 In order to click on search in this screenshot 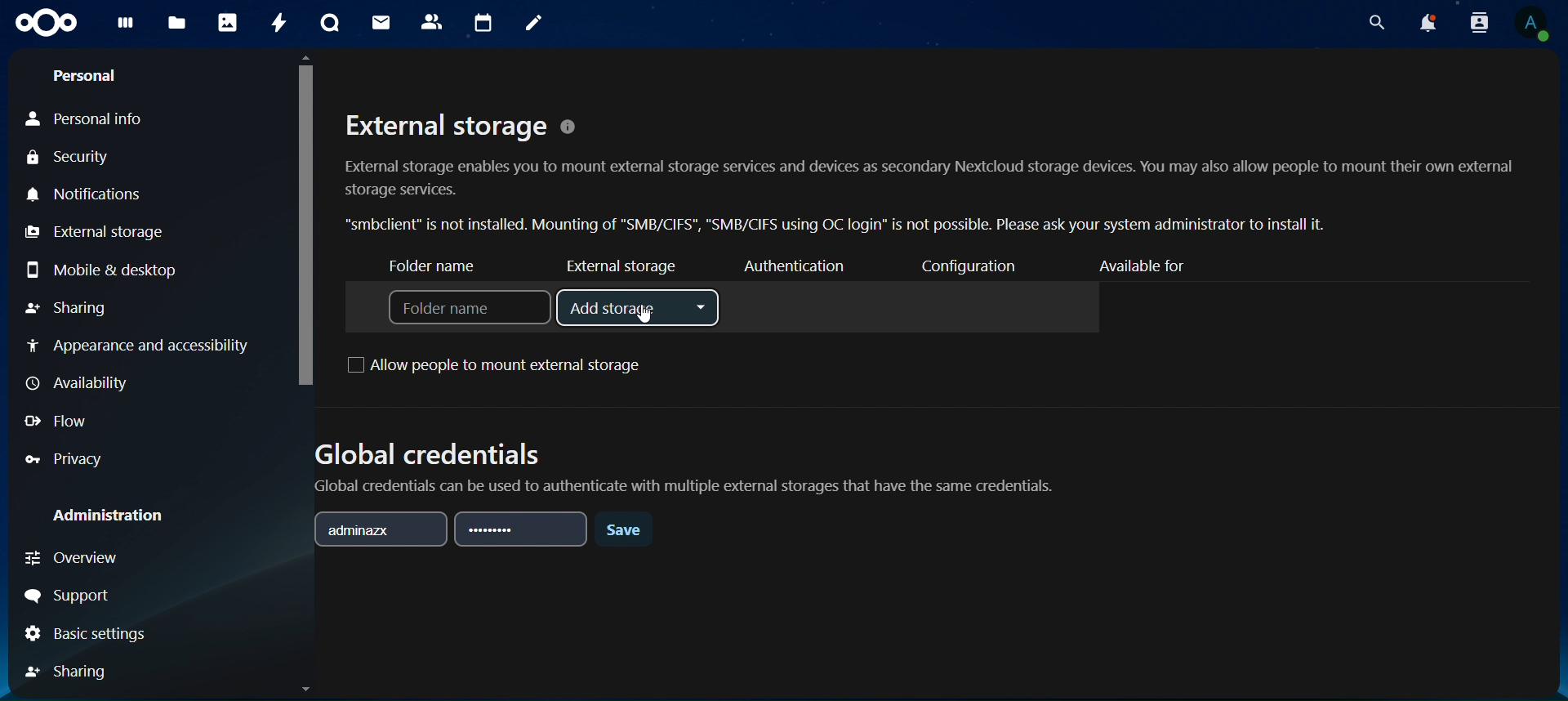, I will do `click(1375, 23)`.